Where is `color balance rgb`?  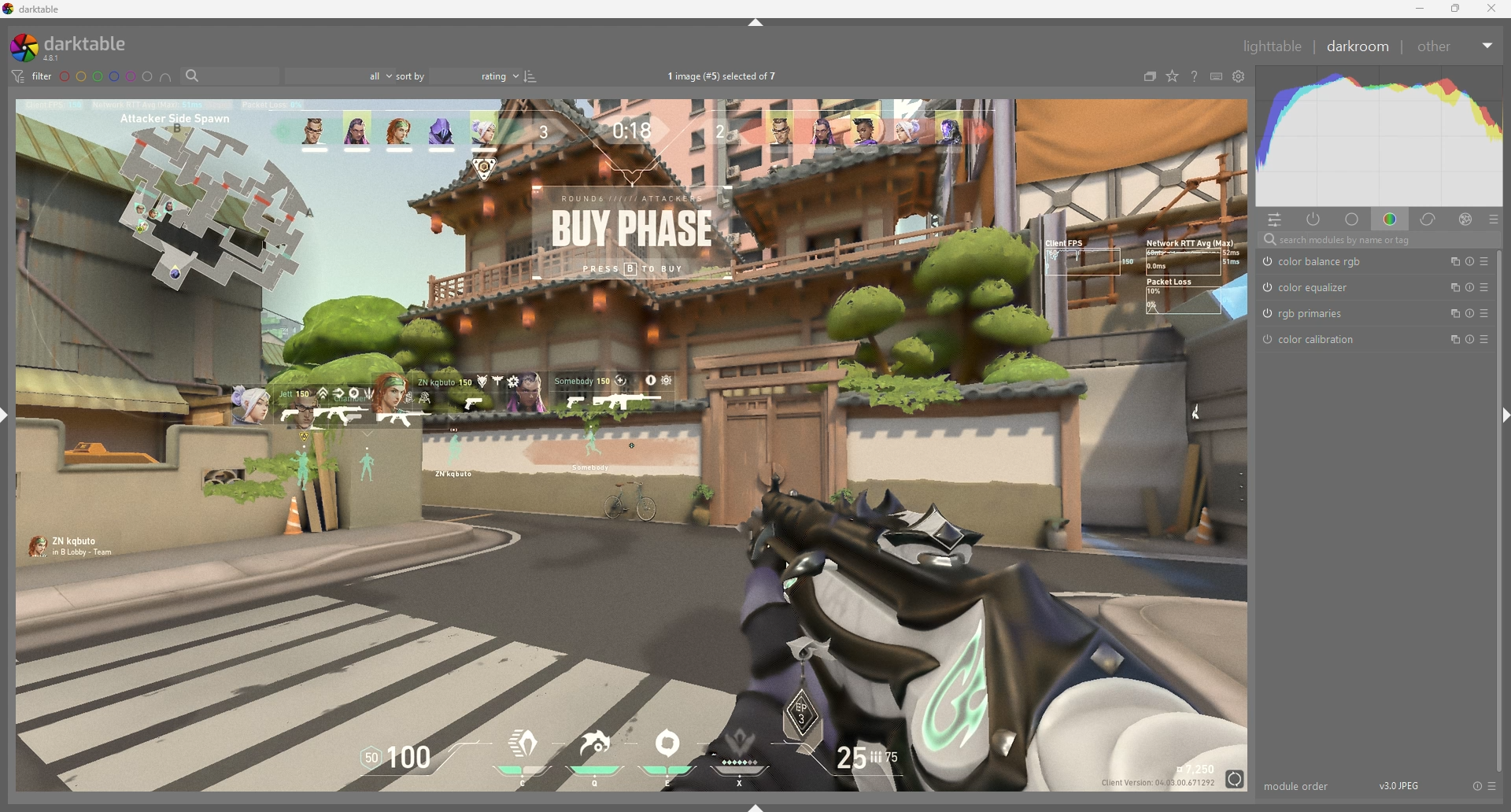
color balance rgb is located at coordinates (1318, 262).